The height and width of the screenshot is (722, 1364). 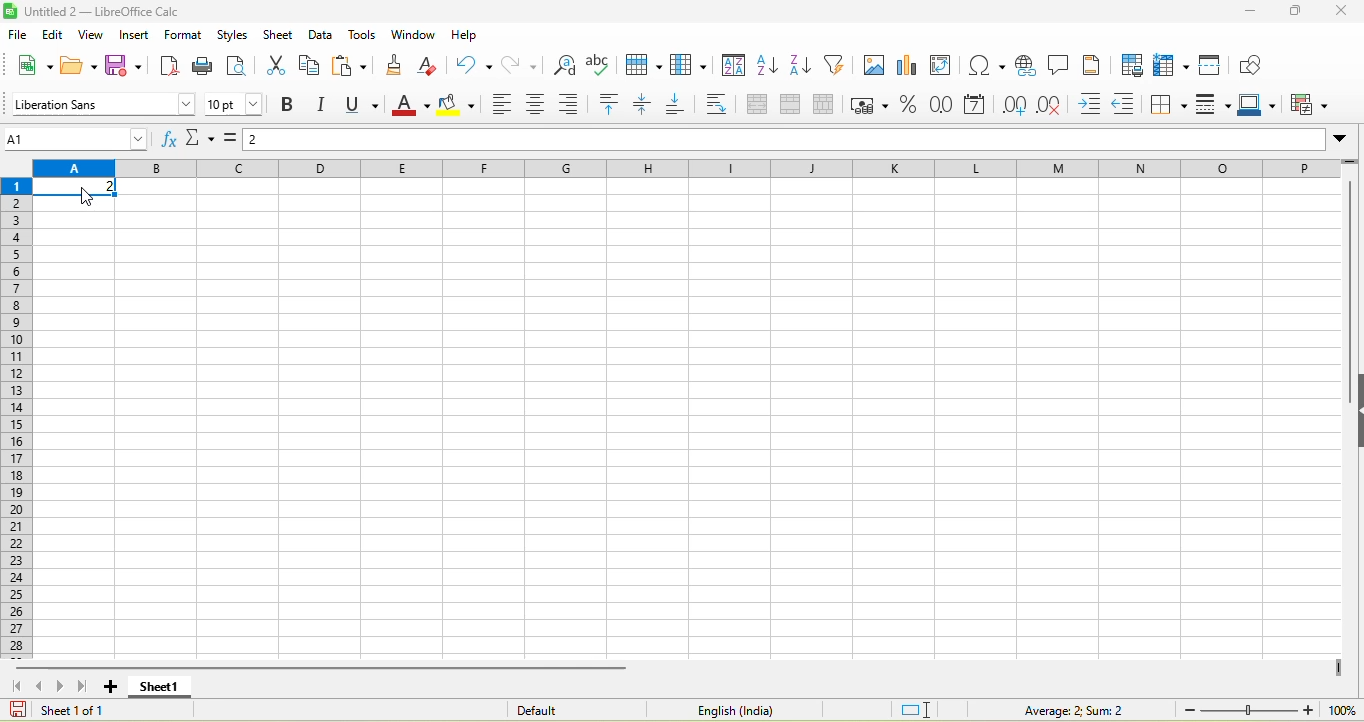 What do you see at coordinates (502, 106) in the screenshot?
I see `align left` at bounding box center [502, 106].